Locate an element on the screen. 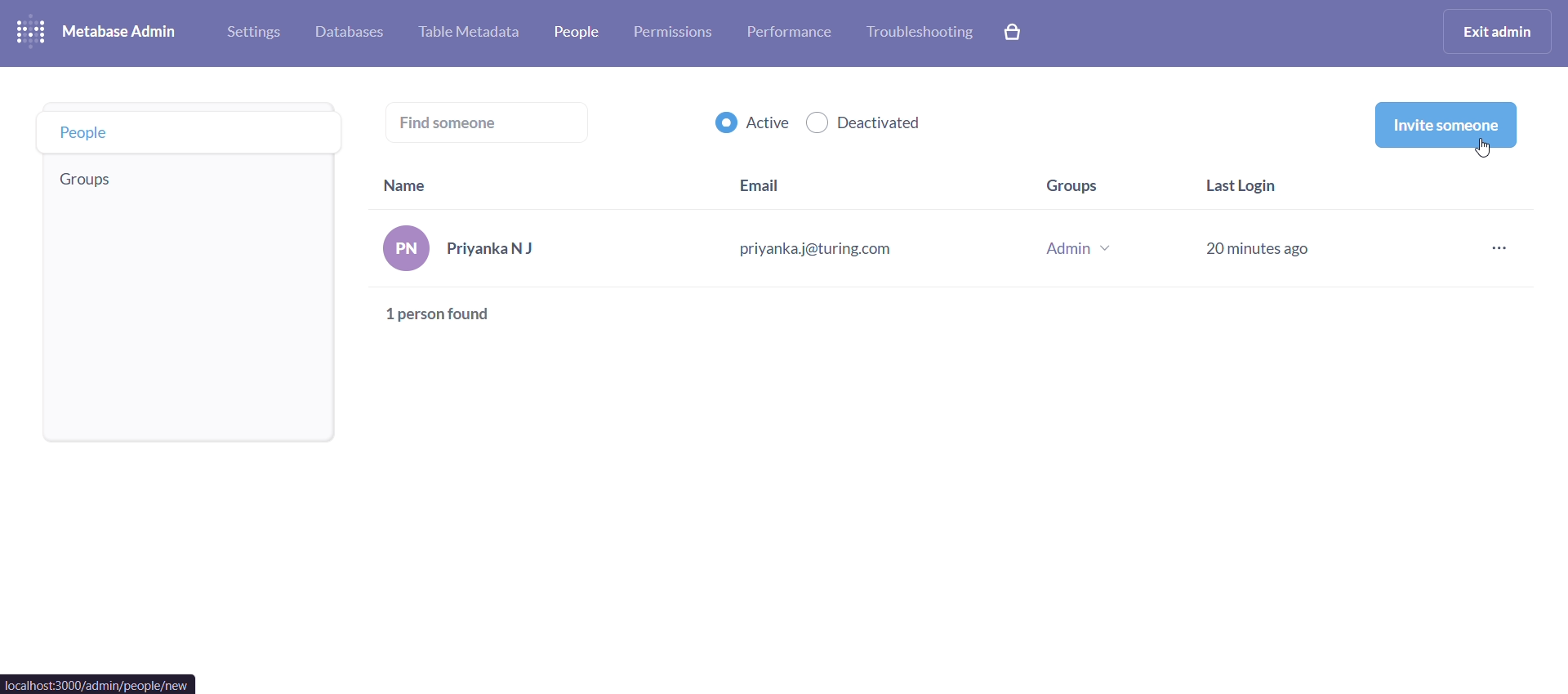 The image size is (1568, 694).  PriyankaNJ priyanka j@turing.com Admin v 20 minutes ago is located at coordinates (853, 247).